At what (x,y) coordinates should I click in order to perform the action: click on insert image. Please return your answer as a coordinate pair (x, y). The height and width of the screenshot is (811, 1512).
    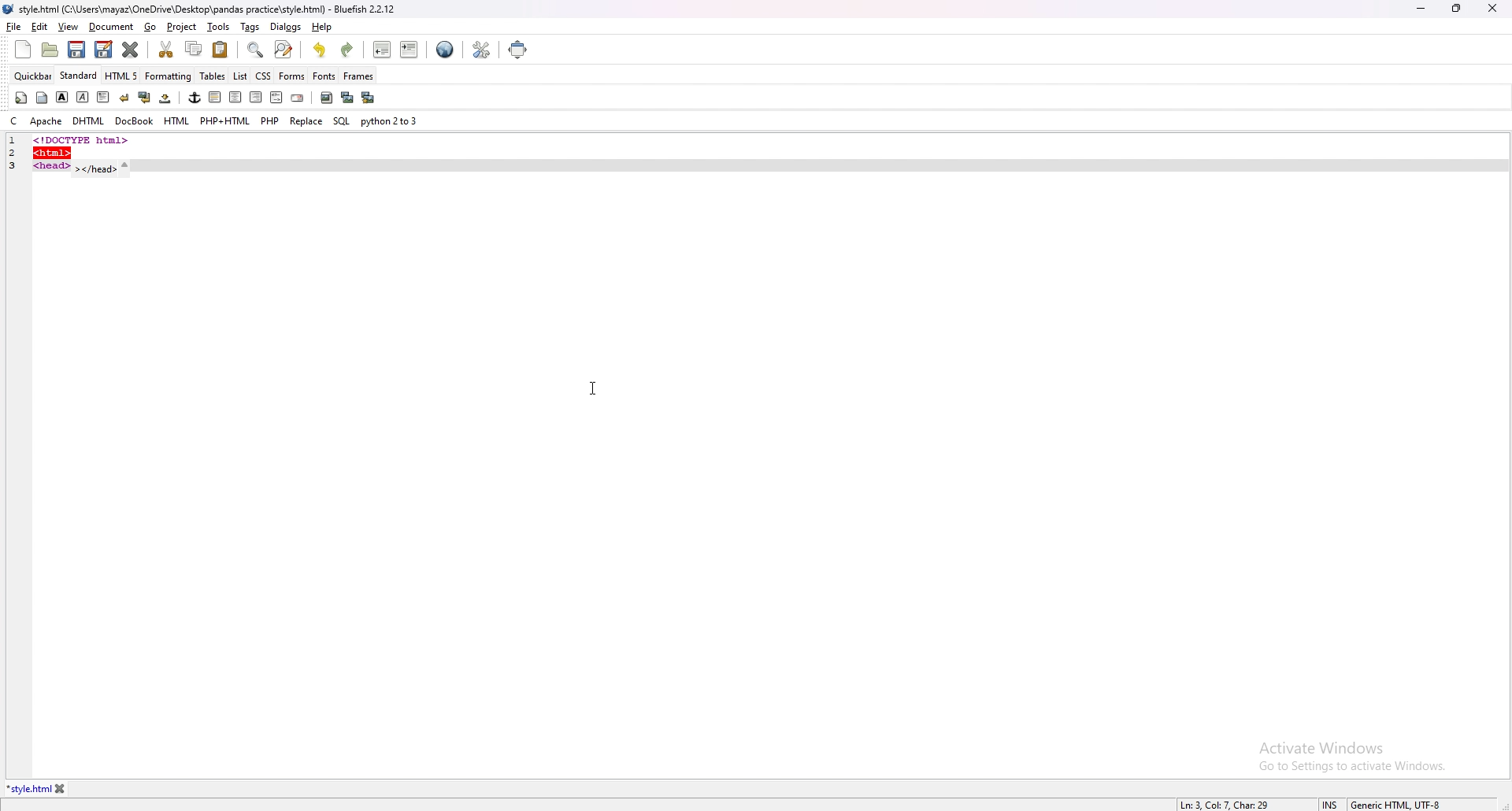
    Looking at the image, I should click on (326, 98).